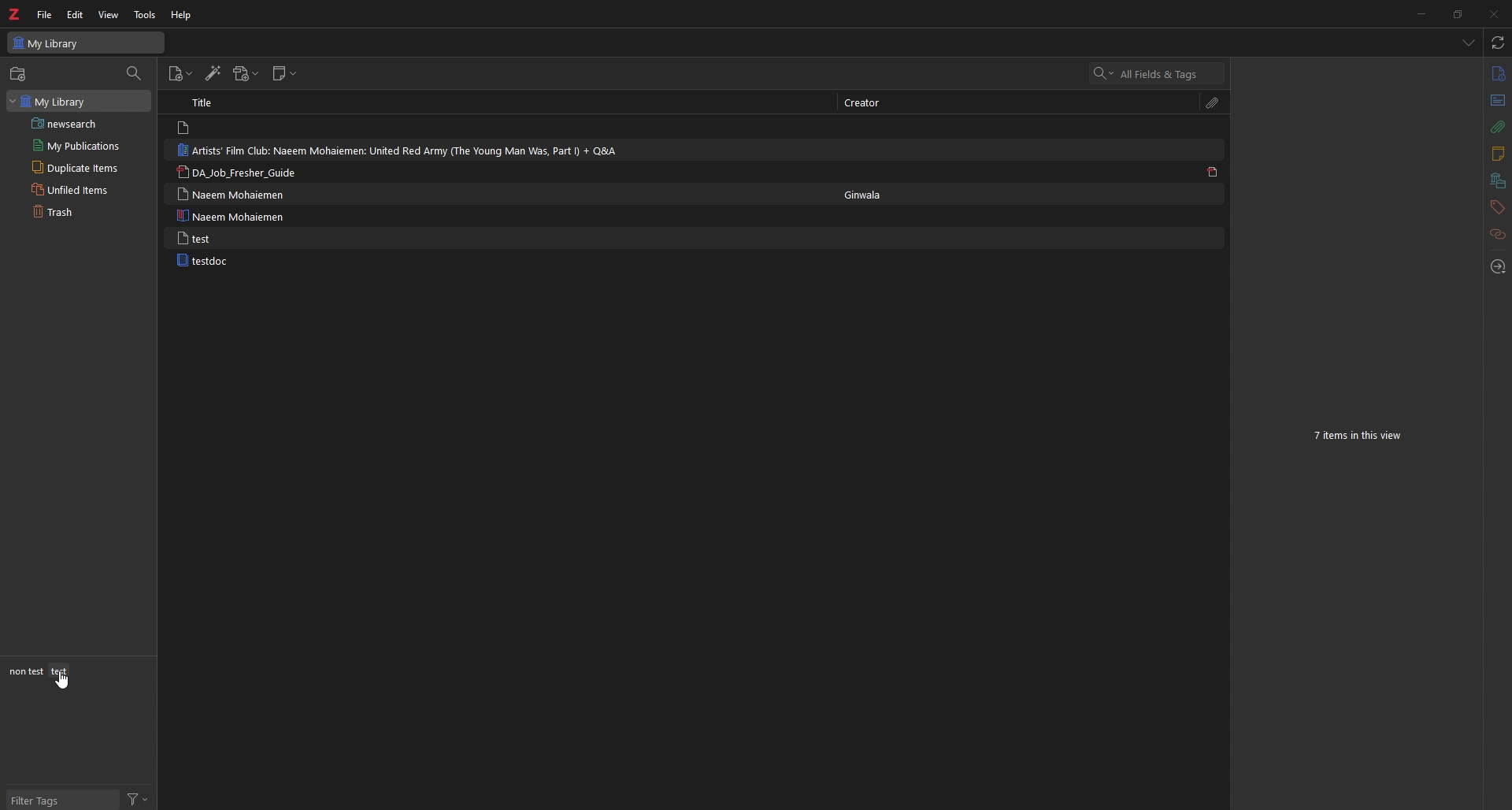 The image size is (1512, 810). What do you see at coordinates (83, 146) in the screenshot?
I see `my publications` at bounding box center [83, 146].